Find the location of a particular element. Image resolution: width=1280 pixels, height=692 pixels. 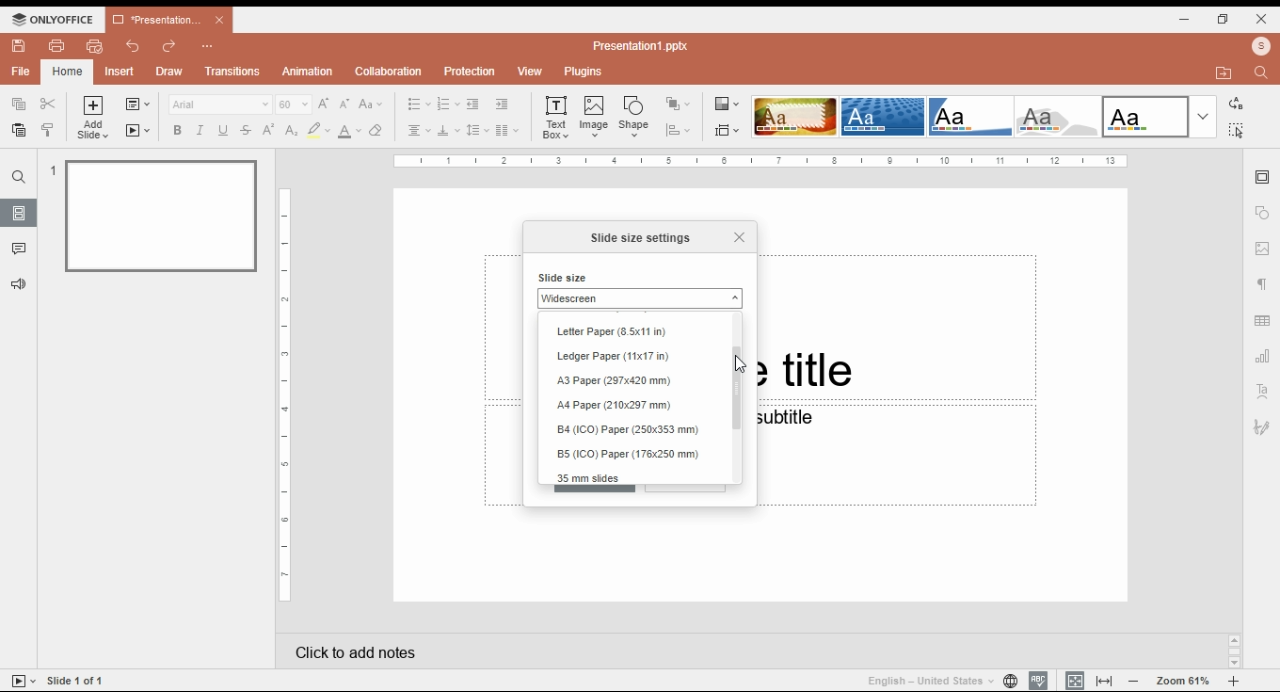

Slide 1 of 1 is located at coordinates (79, 680).